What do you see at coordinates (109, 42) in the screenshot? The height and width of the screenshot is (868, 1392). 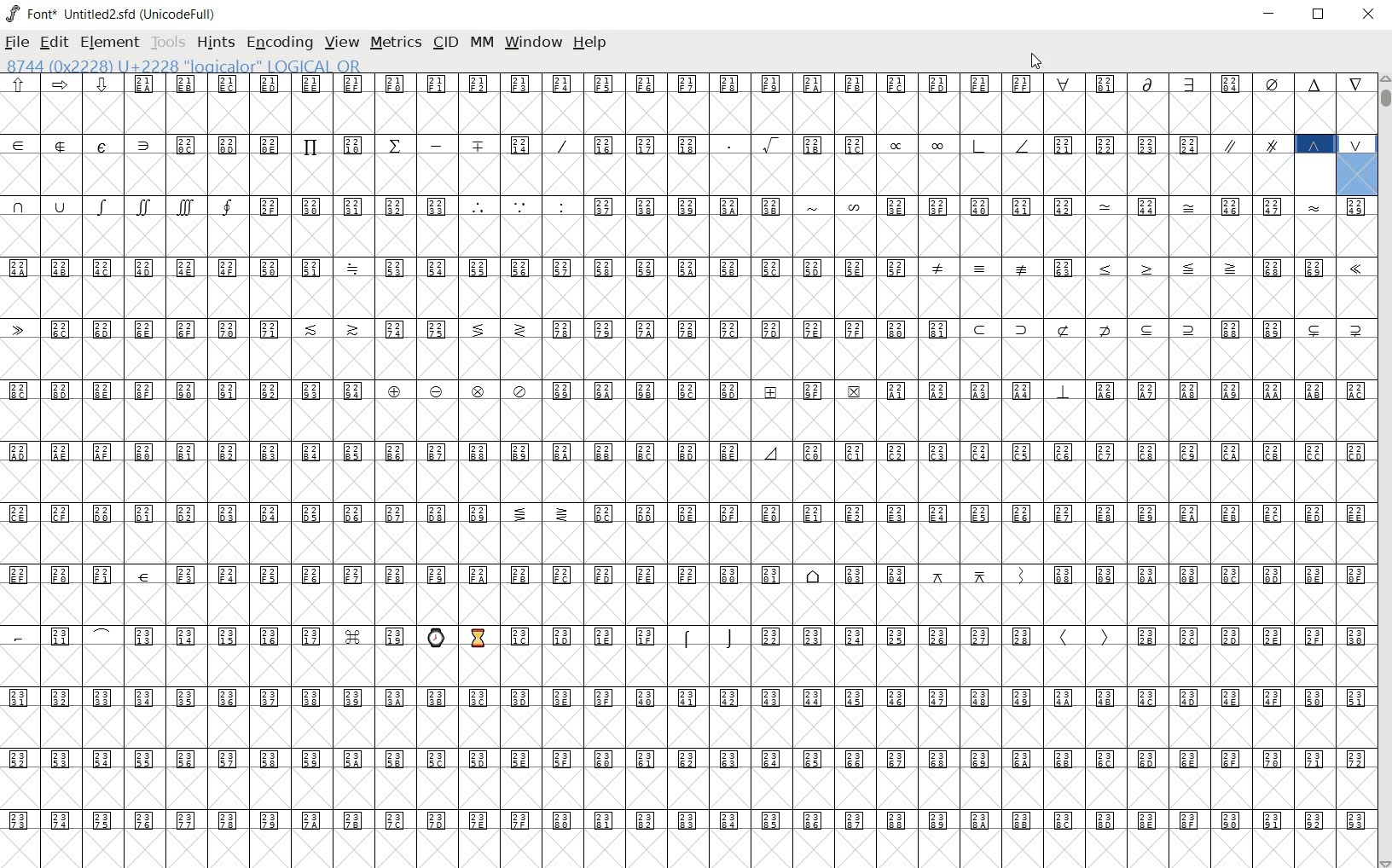 I see `element` at bounding box center [109, 42].